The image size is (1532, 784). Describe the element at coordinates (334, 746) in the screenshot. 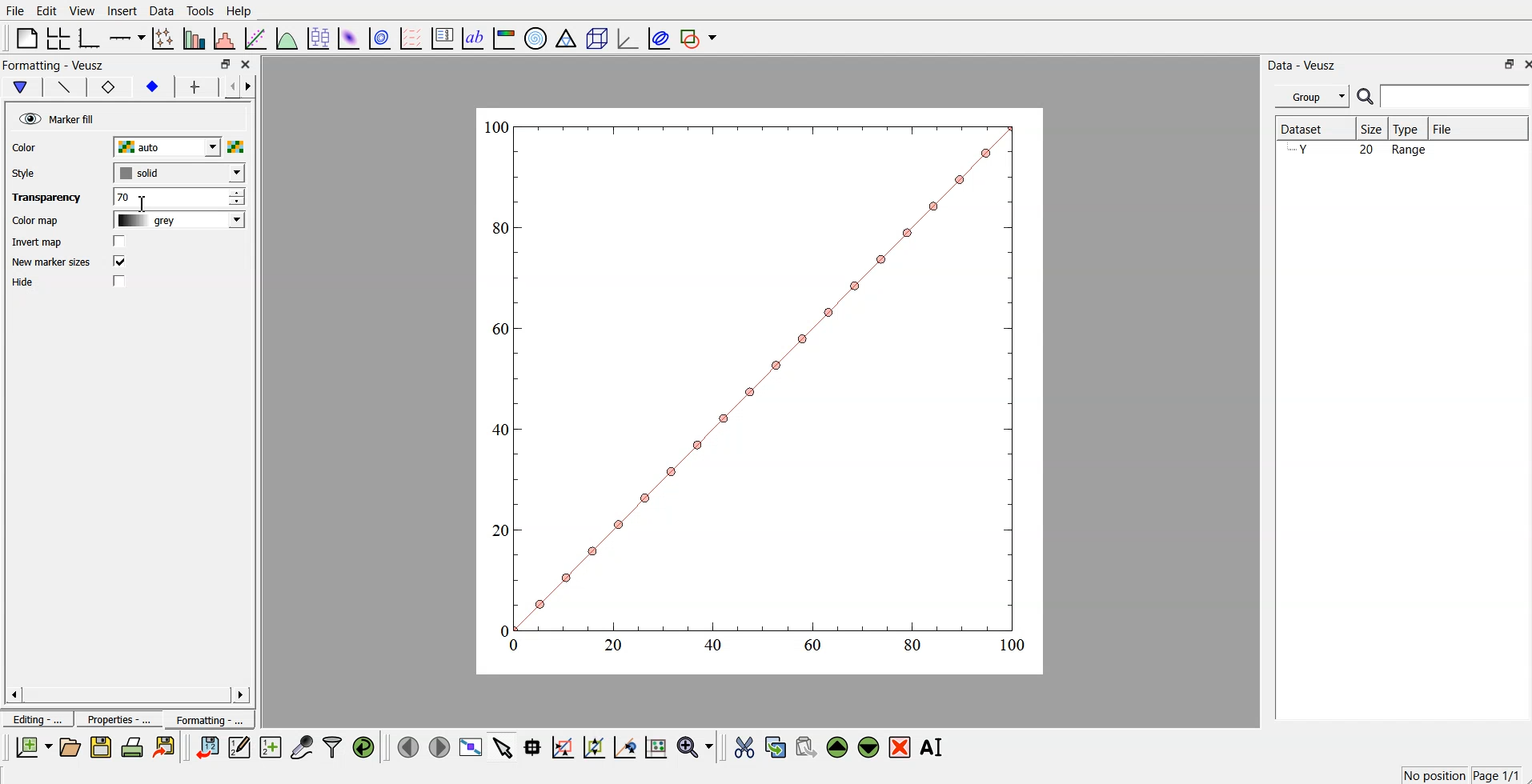

I see `Filter data` at that location.